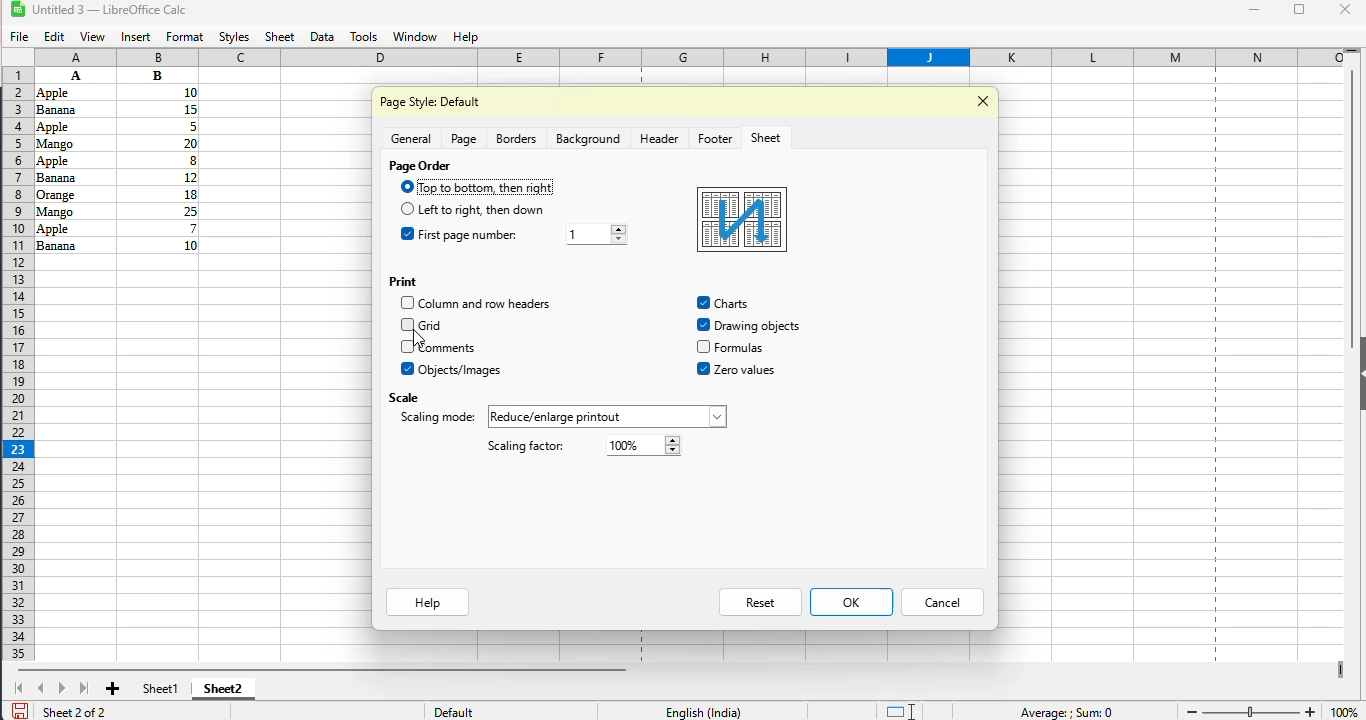 This screenshot has height=720, width=1366. Describe the element at coordinates (1345, 708) in the screenshot. I see `100% (zoom level)` at that location.